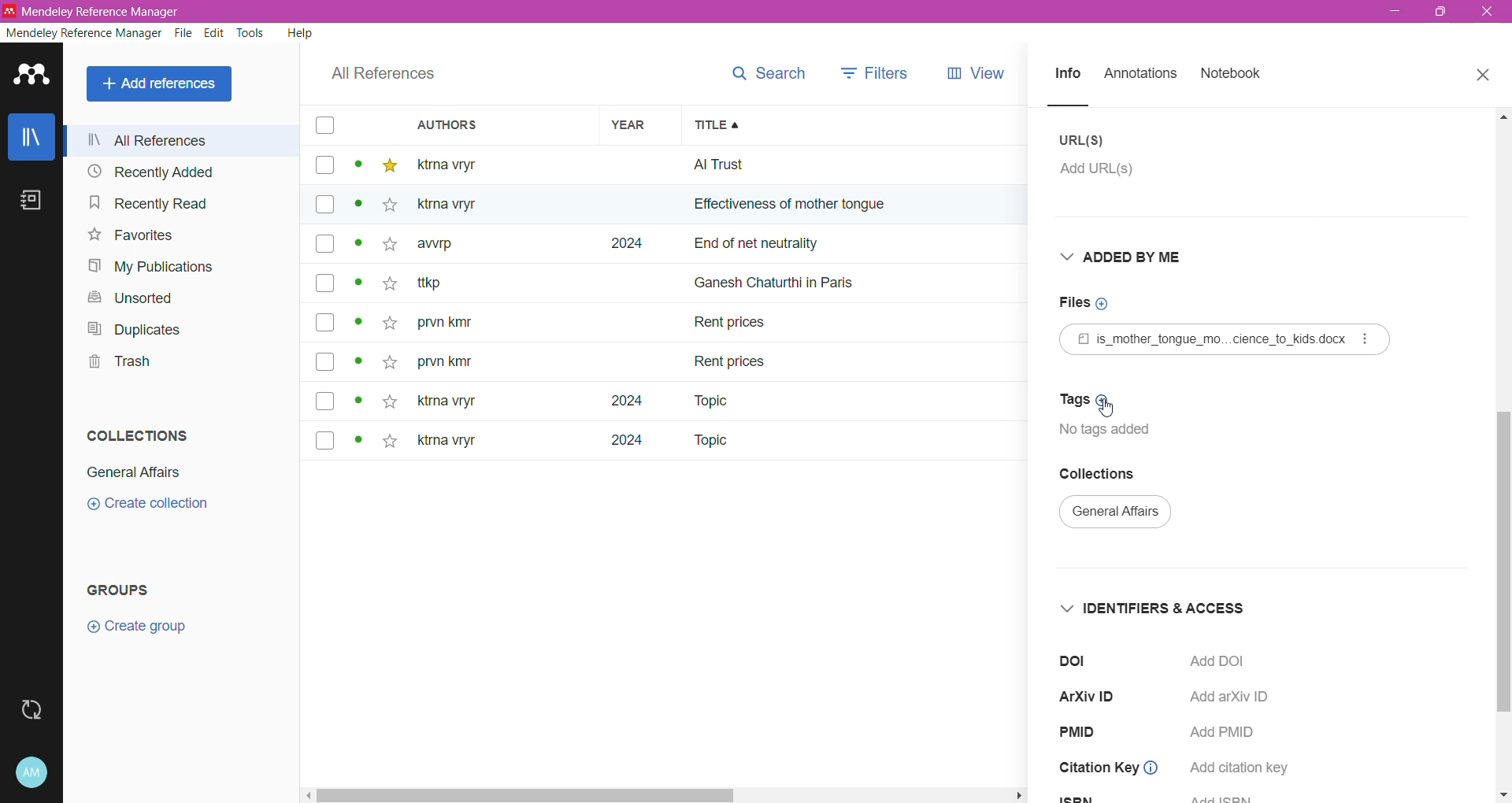  I want to click on views , so click(987, 73).